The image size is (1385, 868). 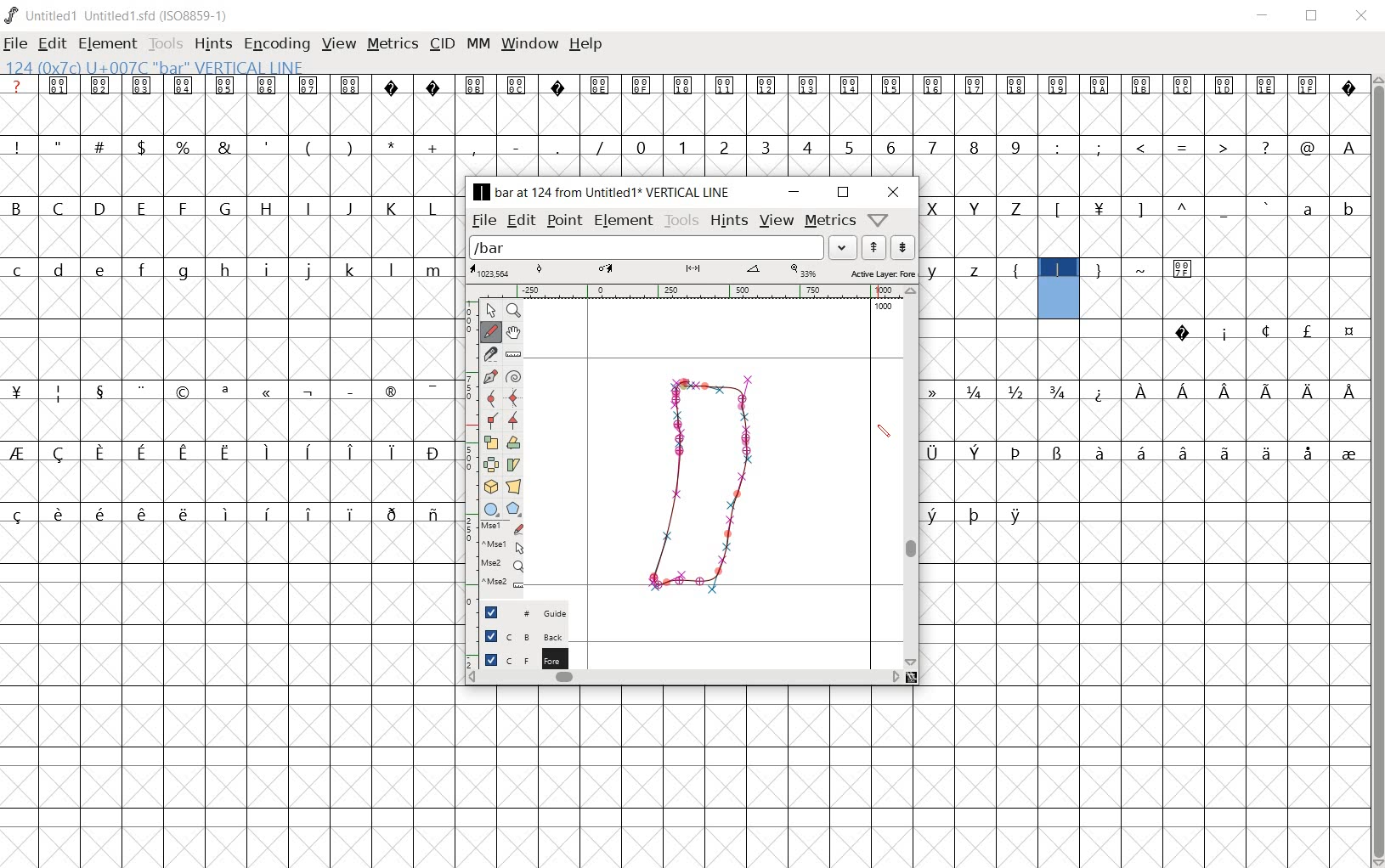 What do you see at coordinates (895, 192) in the screenshot?
I see `close` at bounding box center [895, 192].